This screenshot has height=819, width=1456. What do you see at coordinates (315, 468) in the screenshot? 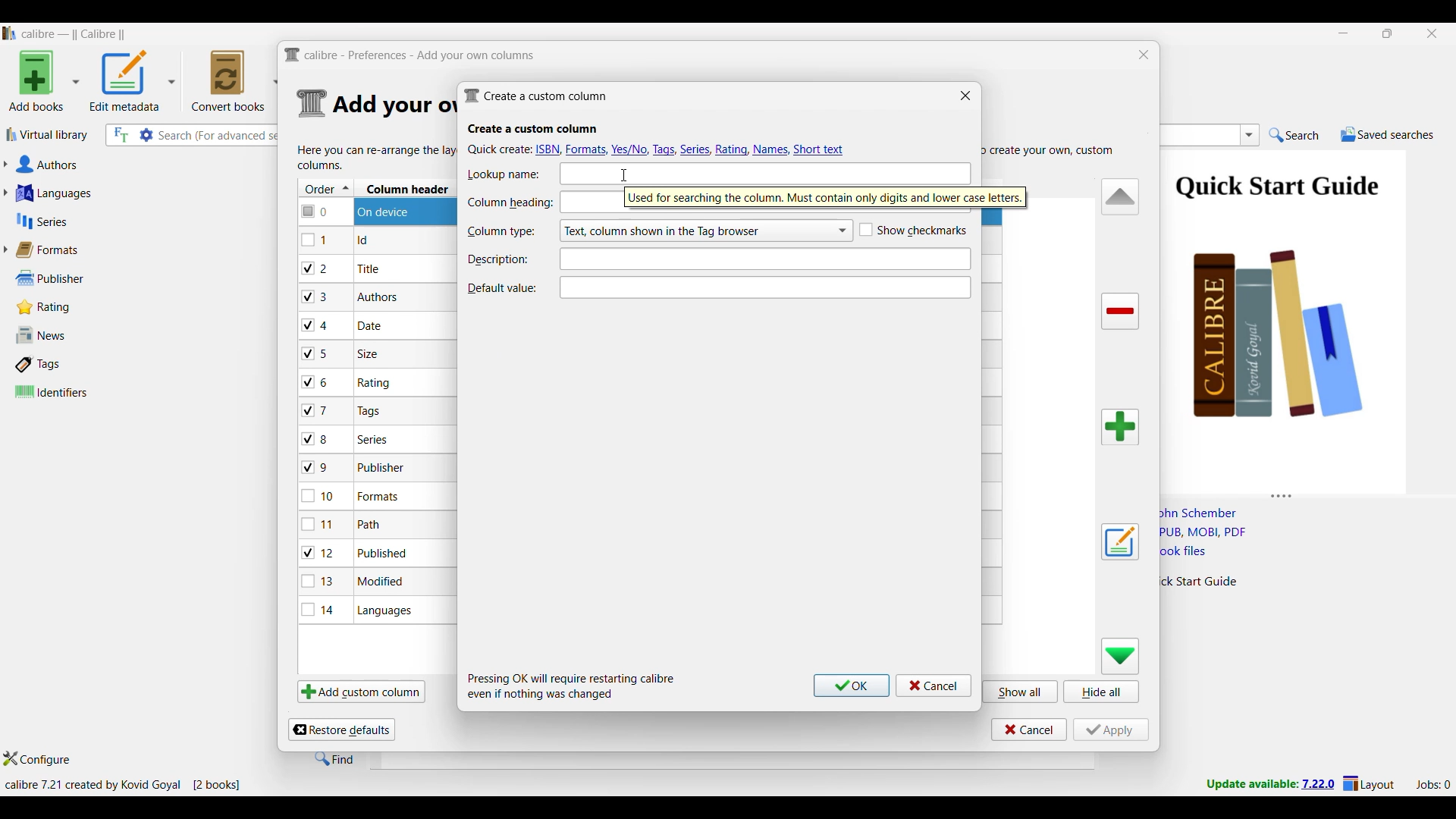
I see `checkbox - 9` at bounding box center [315, 468].